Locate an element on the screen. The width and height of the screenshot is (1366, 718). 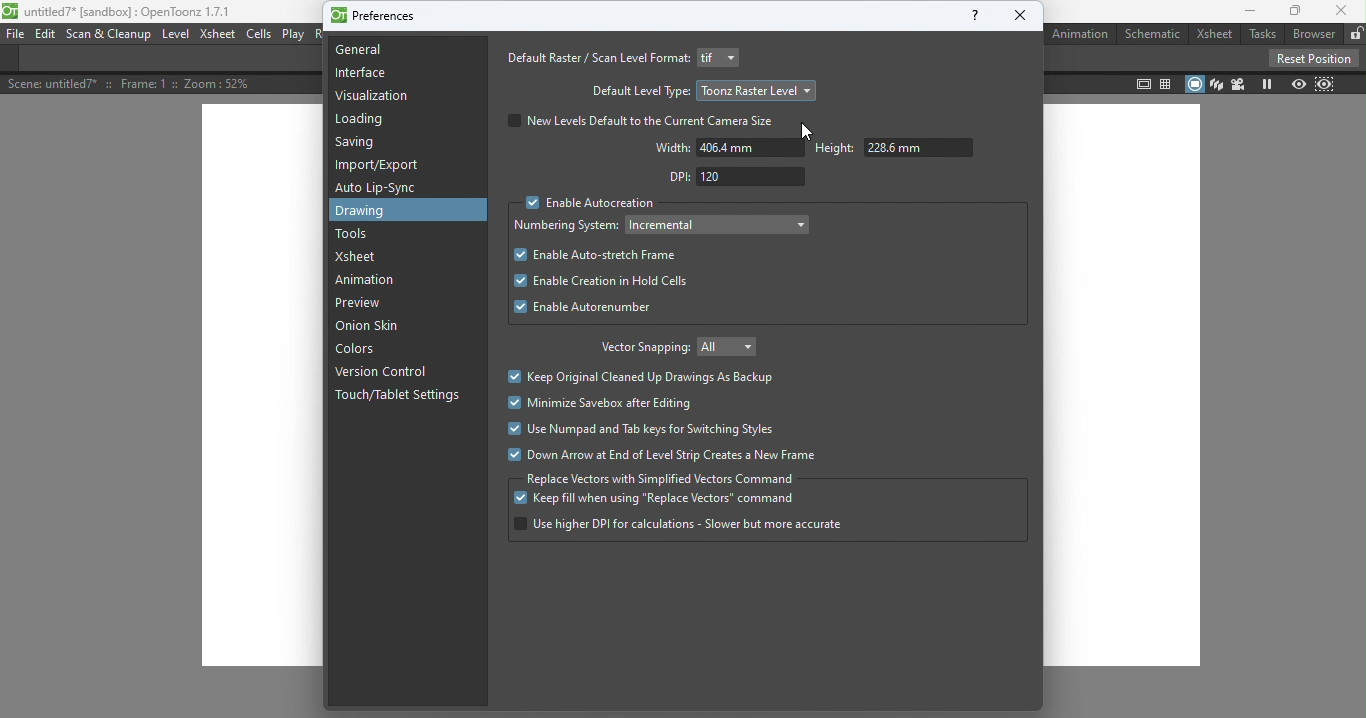
Cells is located at coordinates (261, 35).